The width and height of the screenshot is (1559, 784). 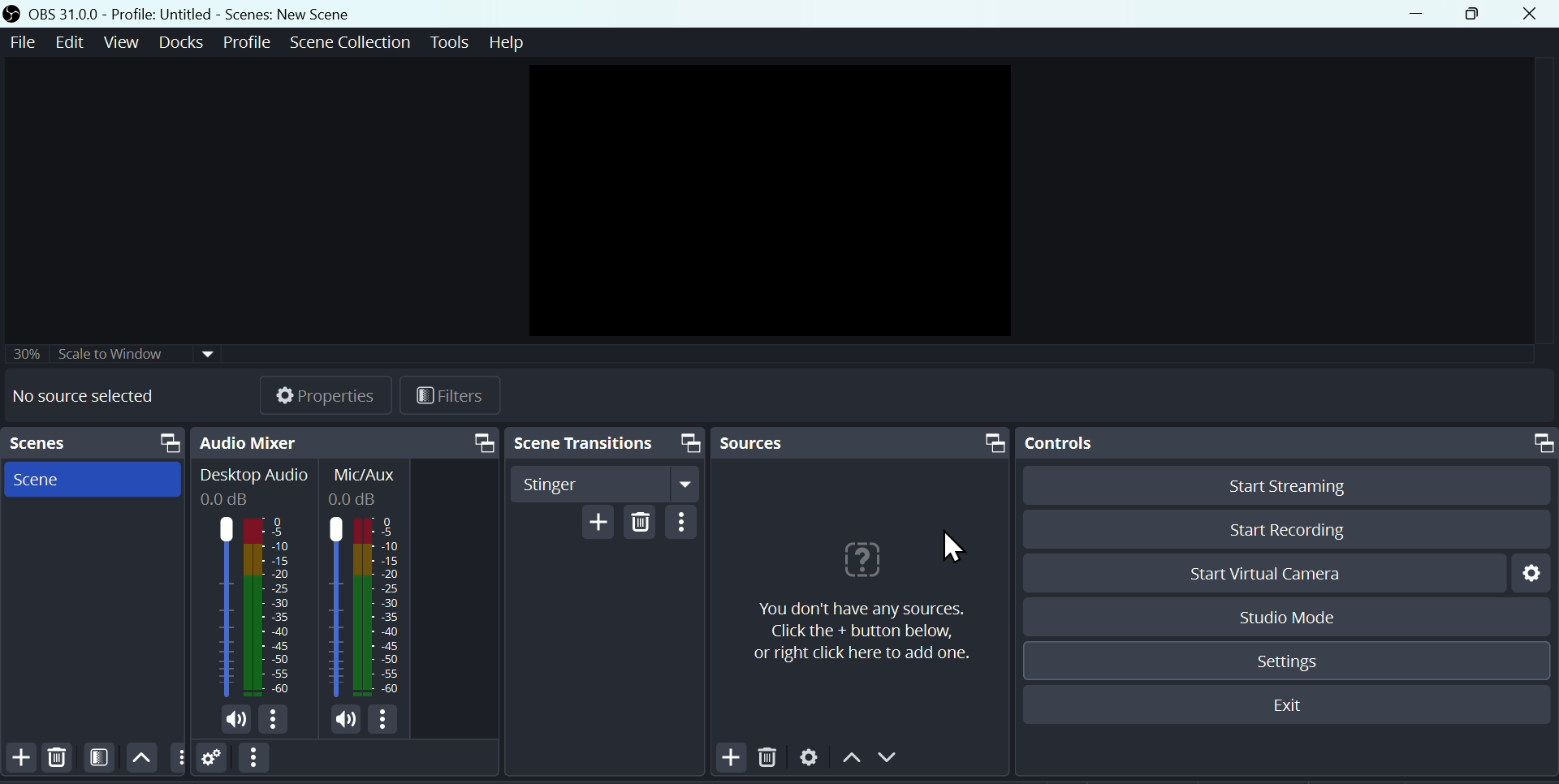 What do you see at coordinates (57, 760) in the screenshot?
I see `Delete` at bounding box center [57, 760].